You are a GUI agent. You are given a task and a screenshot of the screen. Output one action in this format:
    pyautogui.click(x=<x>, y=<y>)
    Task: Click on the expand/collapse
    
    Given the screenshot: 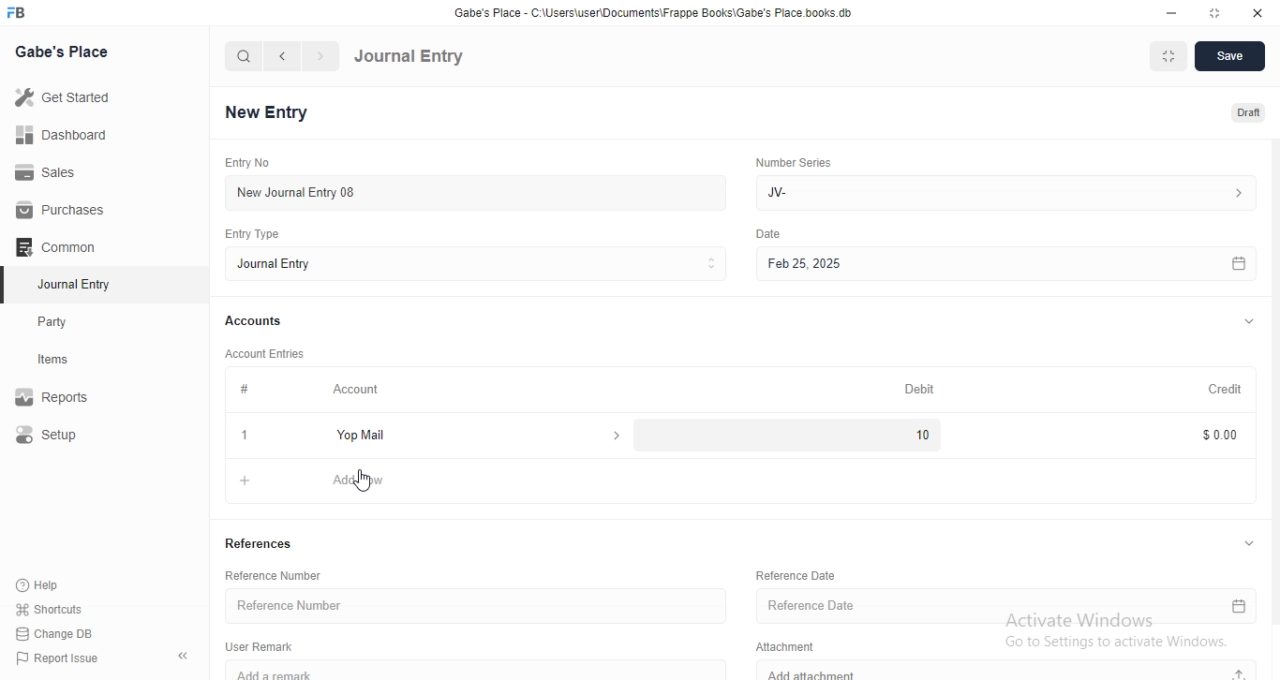 What is the action you would take?
    pyautogui.click(x=1248, y=323)
    